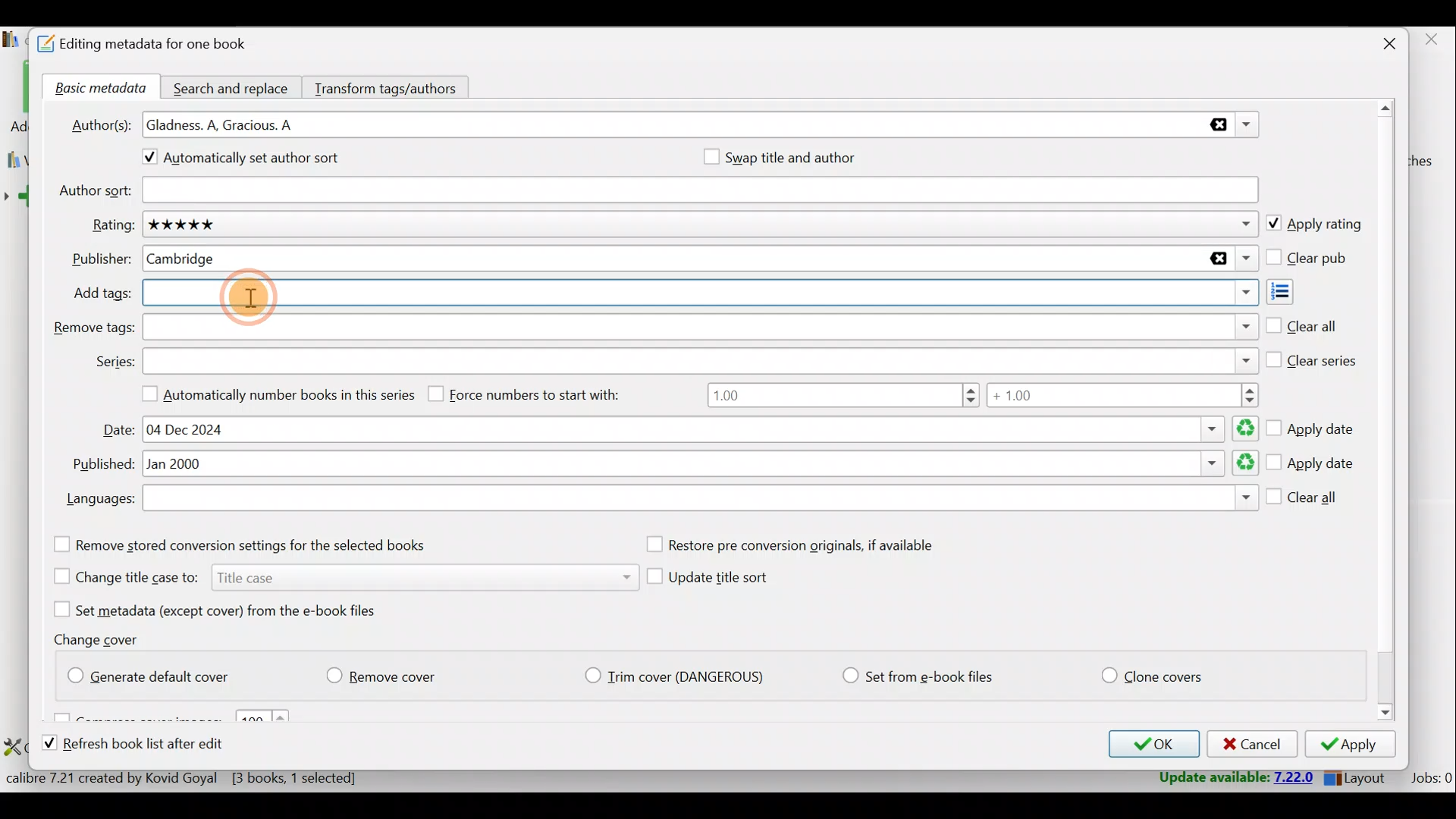 This screenshot has width=1456, height=819. I want to click on Date, so click(698, 429).